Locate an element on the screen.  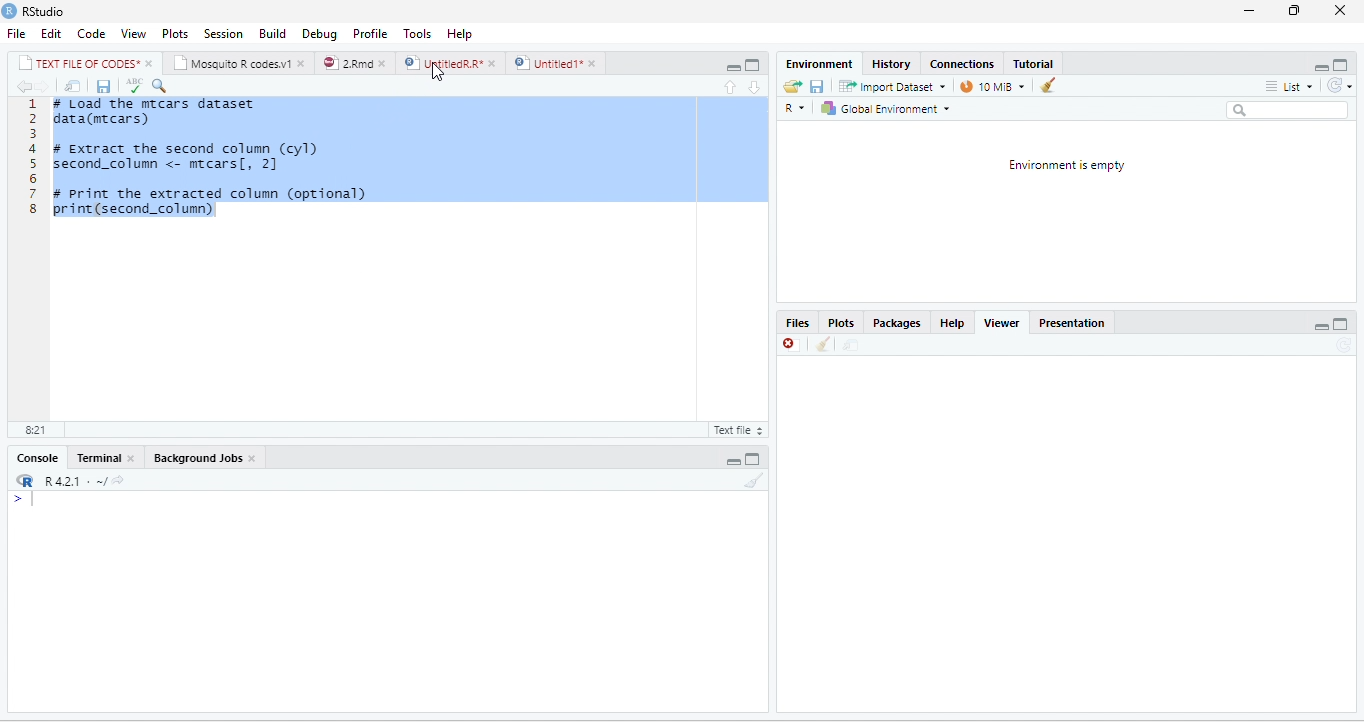
upward is located at coordinates (737, 87).